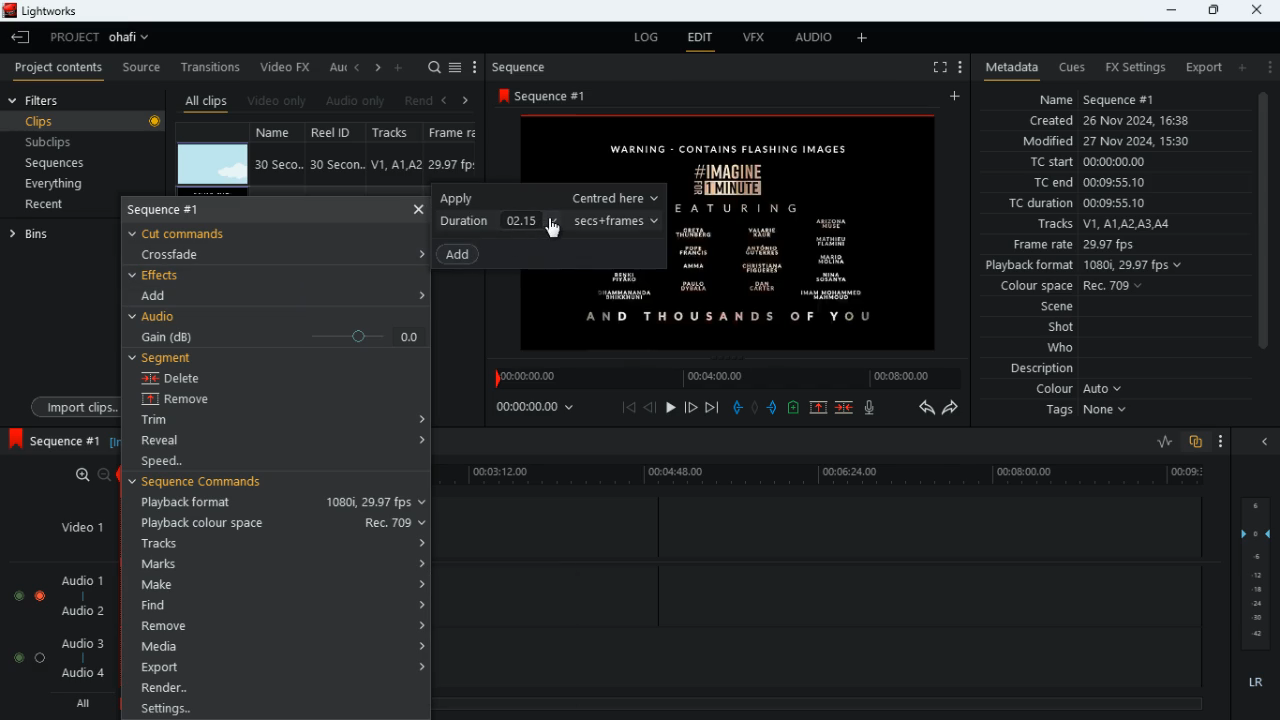 The width and height of the screenshot is (1280, 720). I want to click on toggle, so click(41, 657).